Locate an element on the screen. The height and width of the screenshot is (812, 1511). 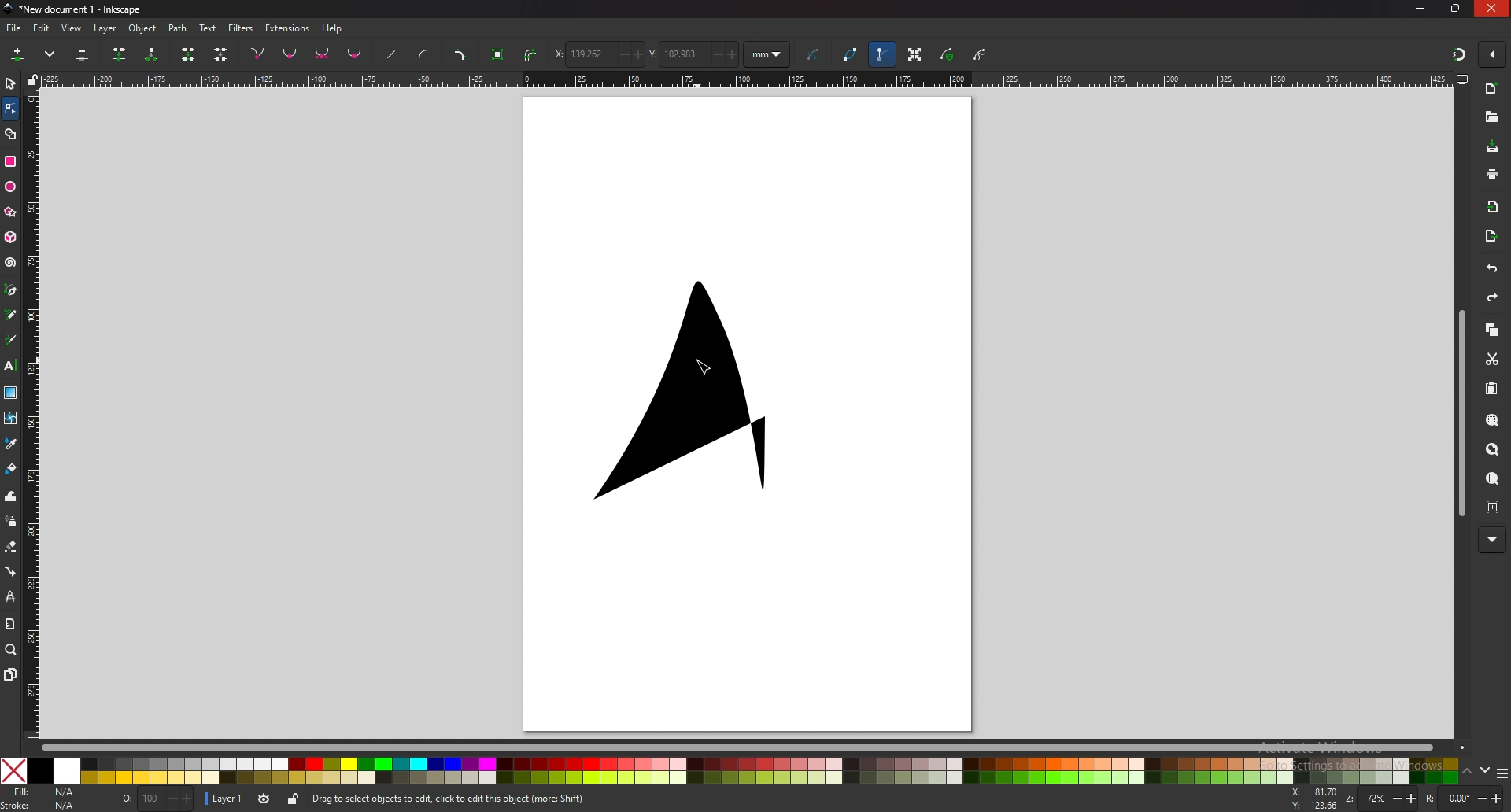
rotate is located at coordinates (1465, 798).